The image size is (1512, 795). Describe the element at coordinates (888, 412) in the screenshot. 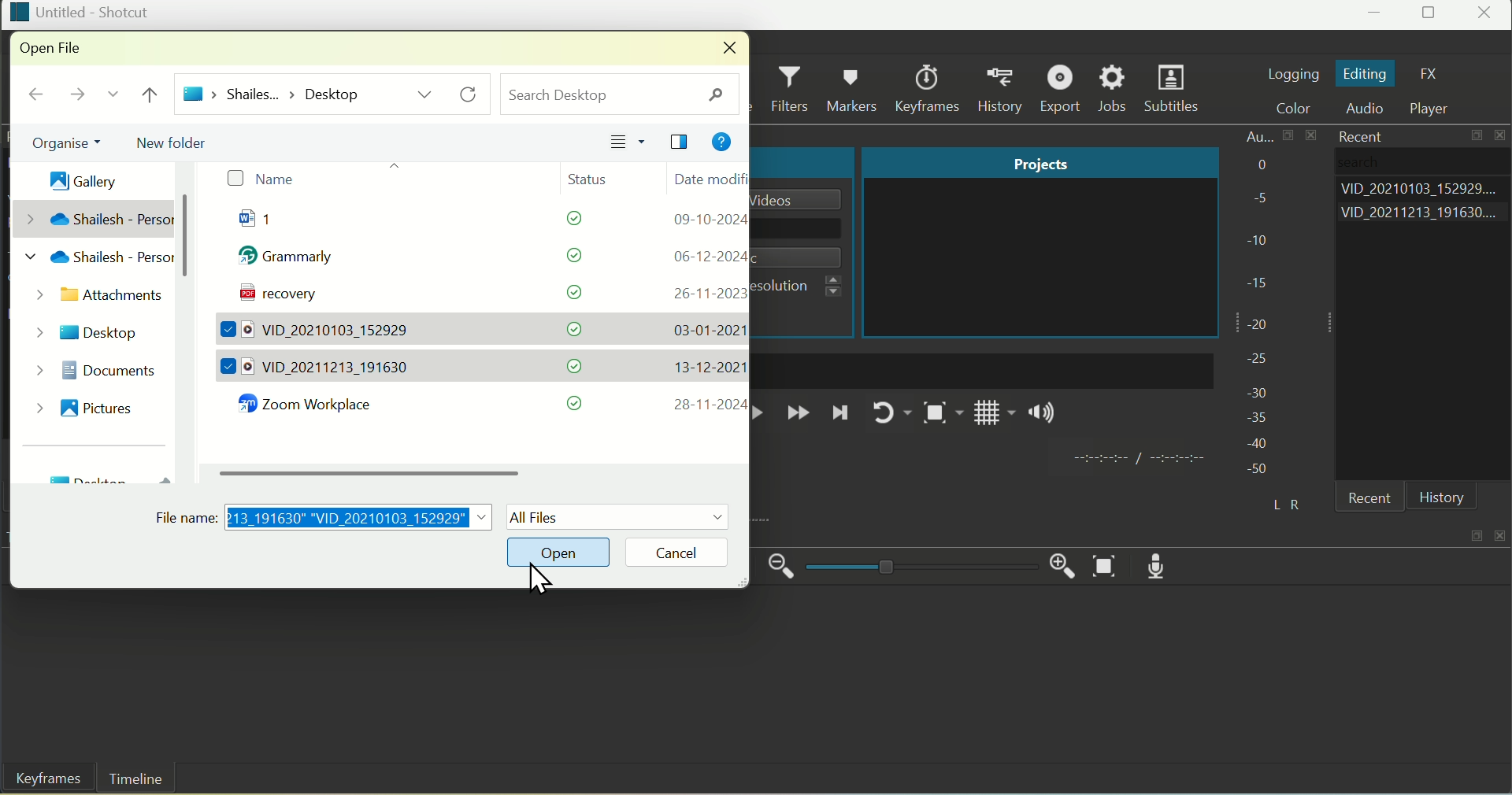

I see `Play Again` at that location.